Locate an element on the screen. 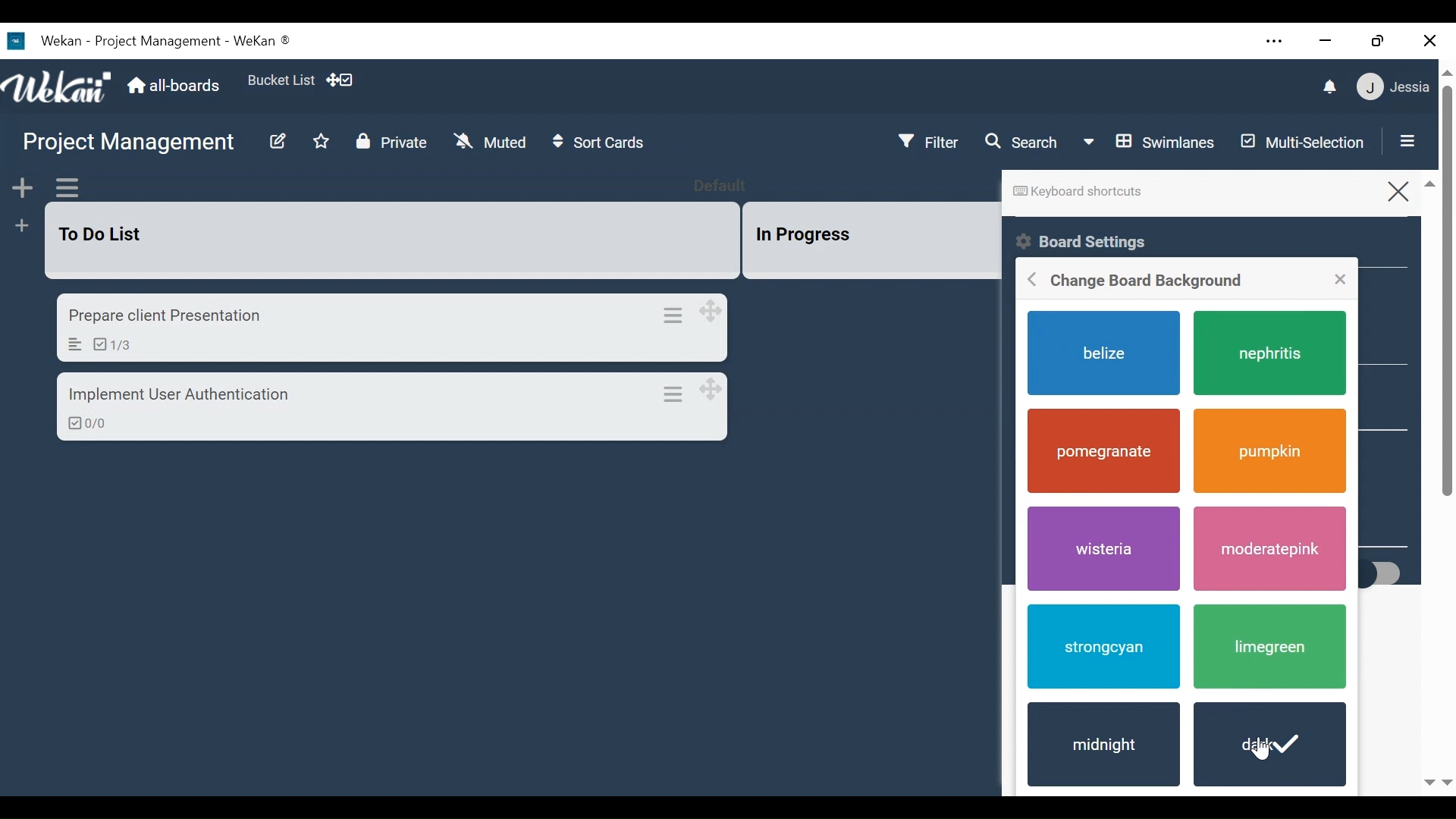 The image size is (1456, 819). Card Title is located at coordinates (161, 316).